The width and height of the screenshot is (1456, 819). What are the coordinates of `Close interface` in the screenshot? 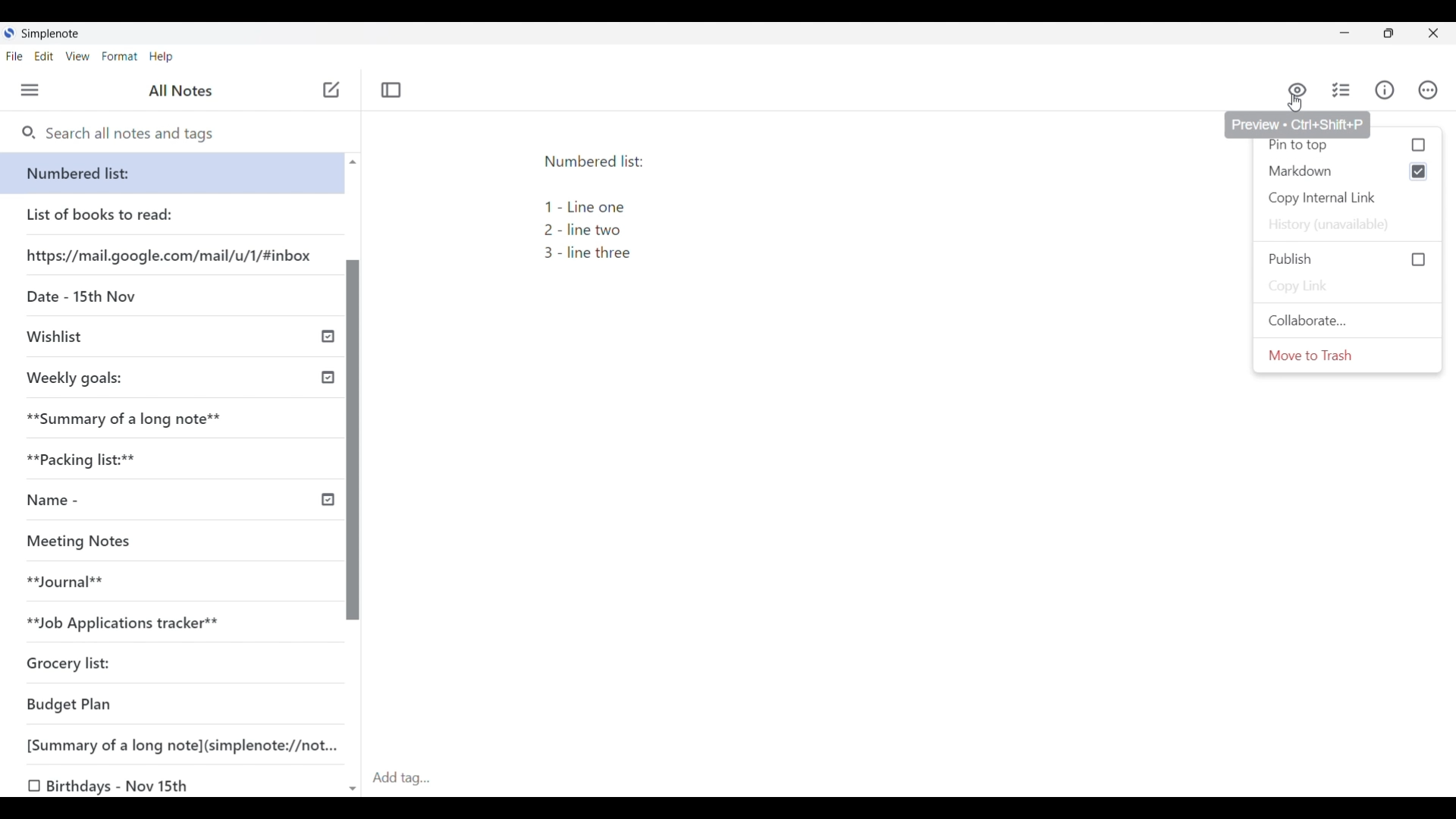 It's located at (1432, 33).